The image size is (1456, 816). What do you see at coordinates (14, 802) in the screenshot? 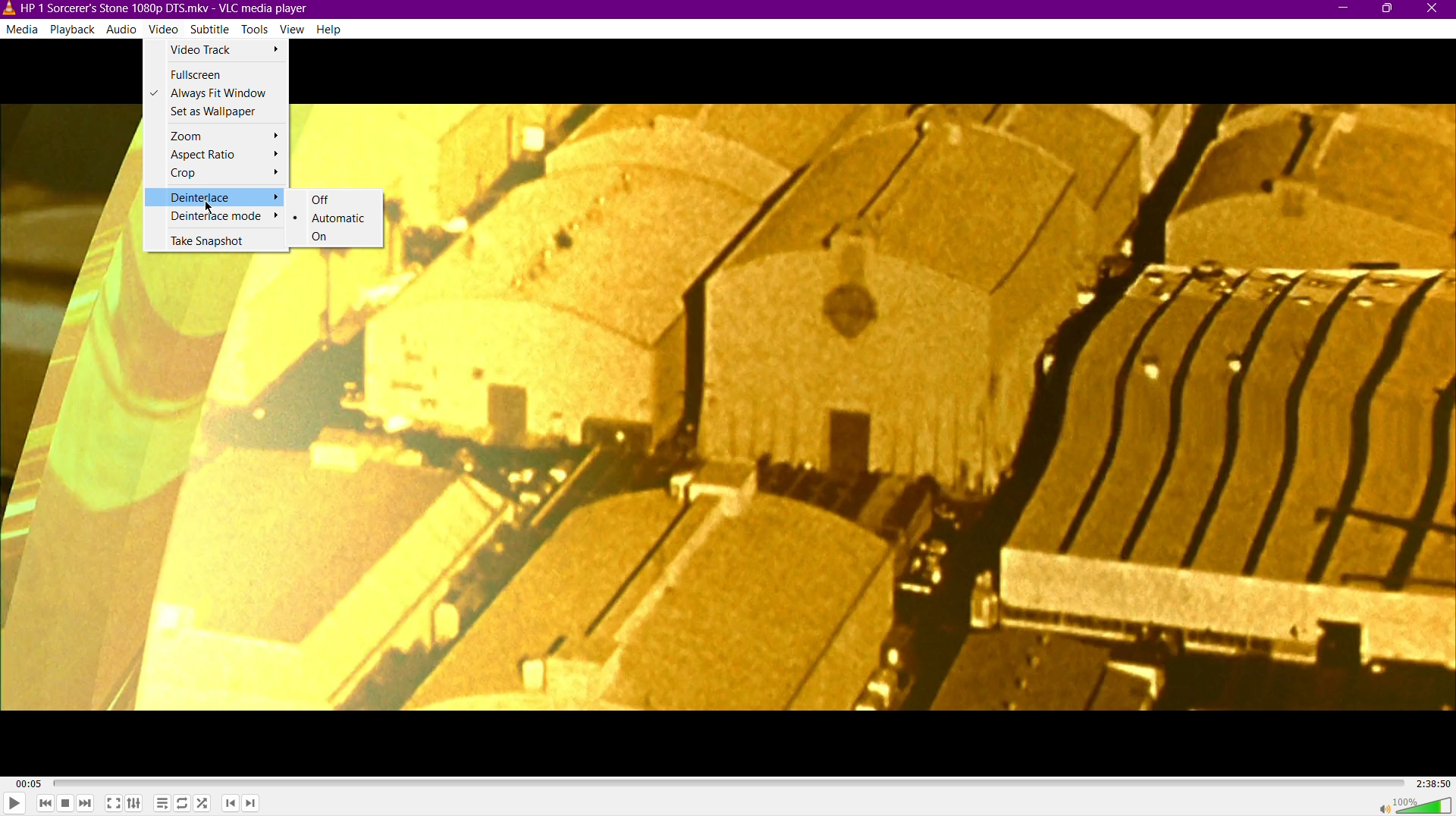
I see `Play` at bounding box center [14, 802].